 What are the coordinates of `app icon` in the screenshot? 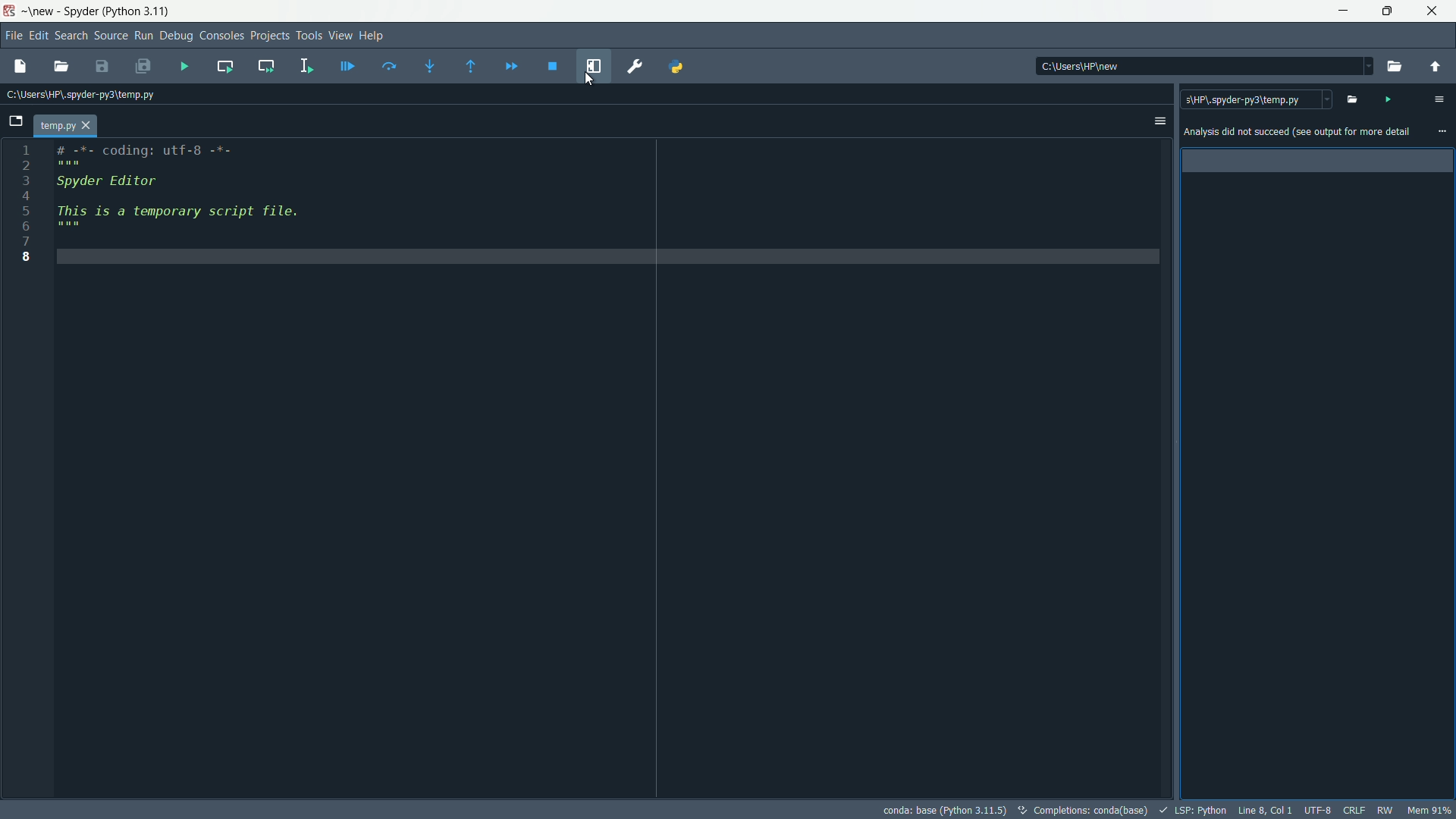 It's located at (11, 11).